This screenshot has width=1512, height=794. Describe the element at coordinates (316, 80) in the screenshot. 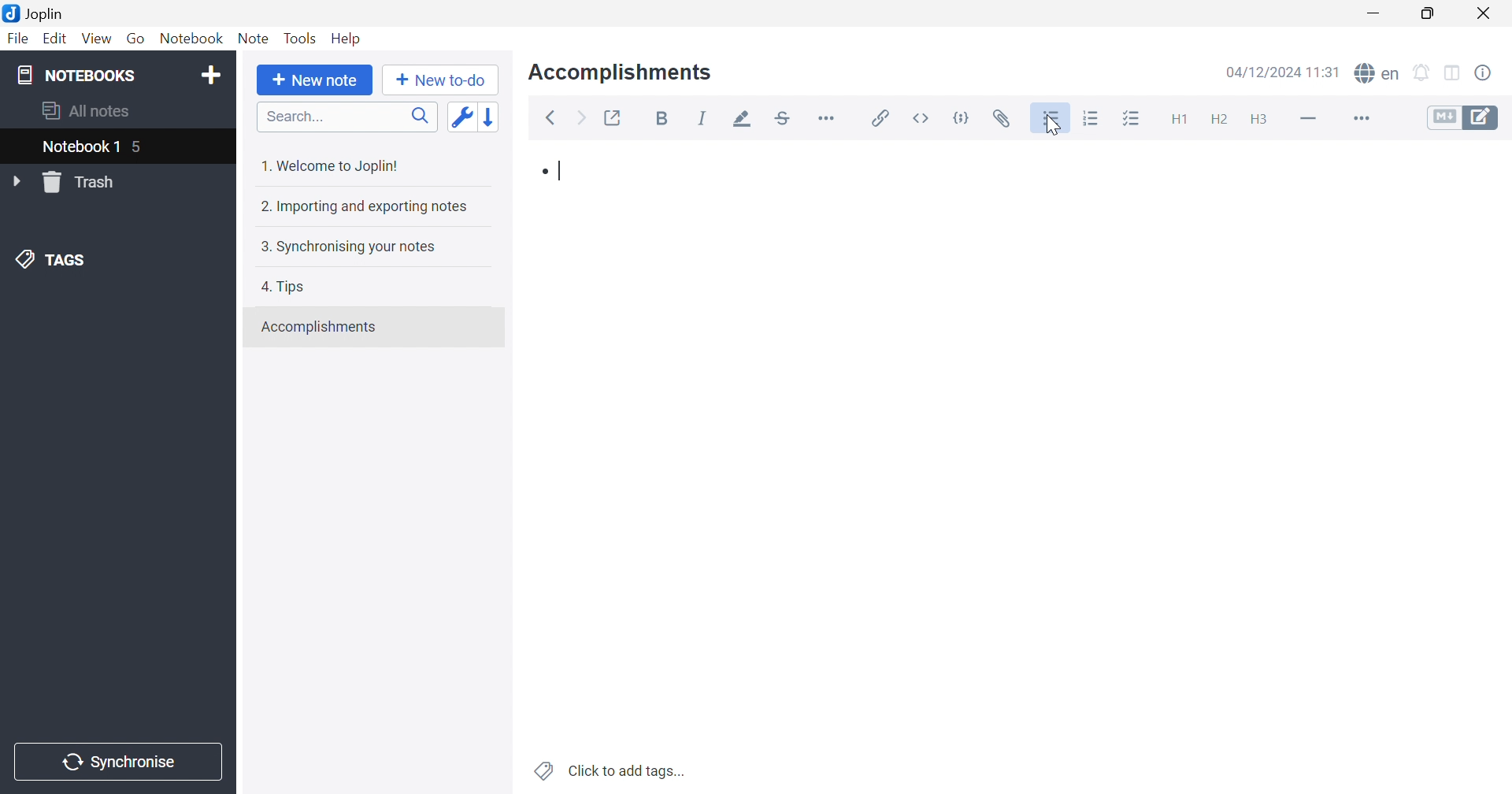

I see `New note` at that location.